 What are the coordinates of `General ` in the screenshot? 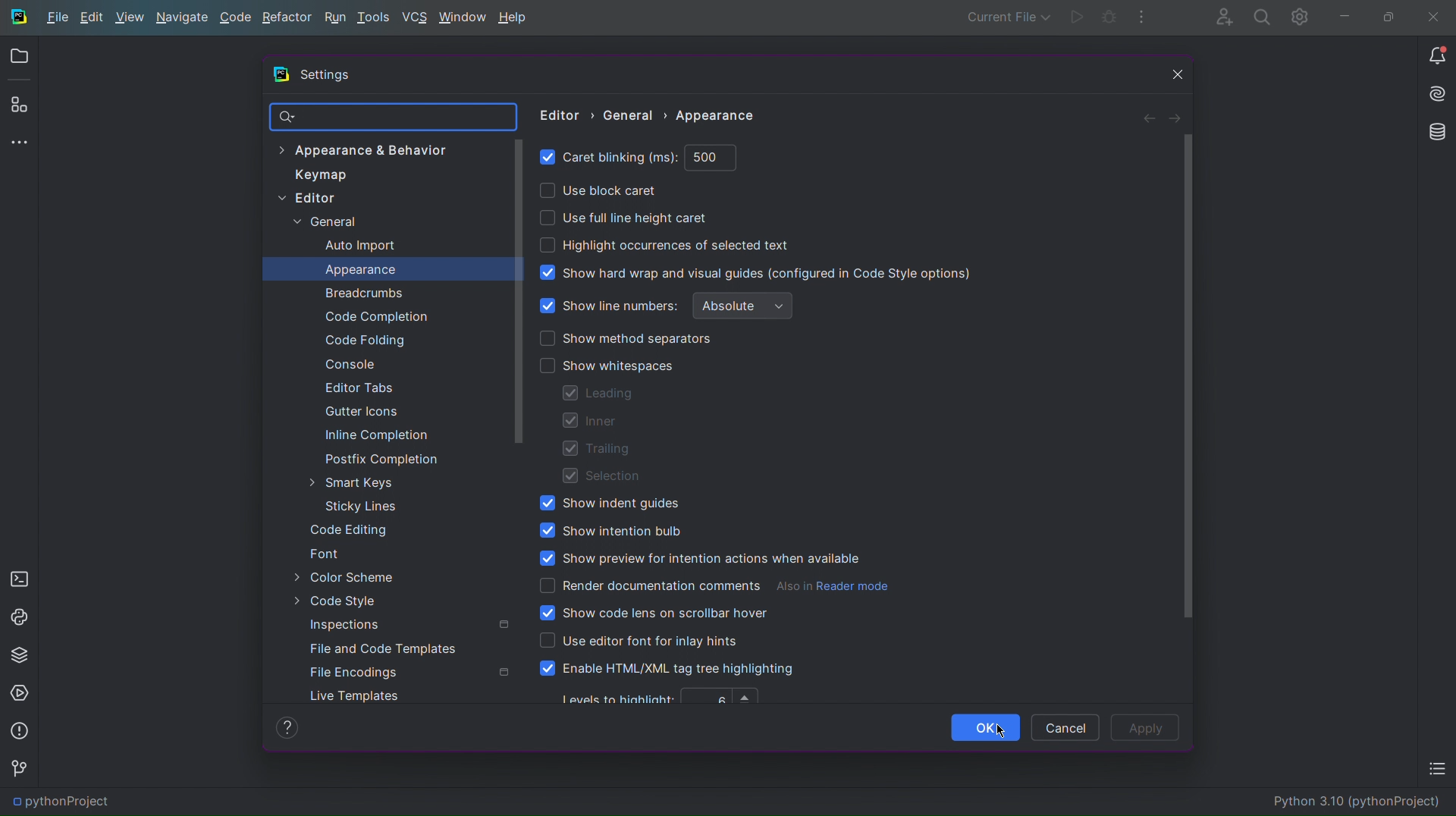 It's located at (634, 115).